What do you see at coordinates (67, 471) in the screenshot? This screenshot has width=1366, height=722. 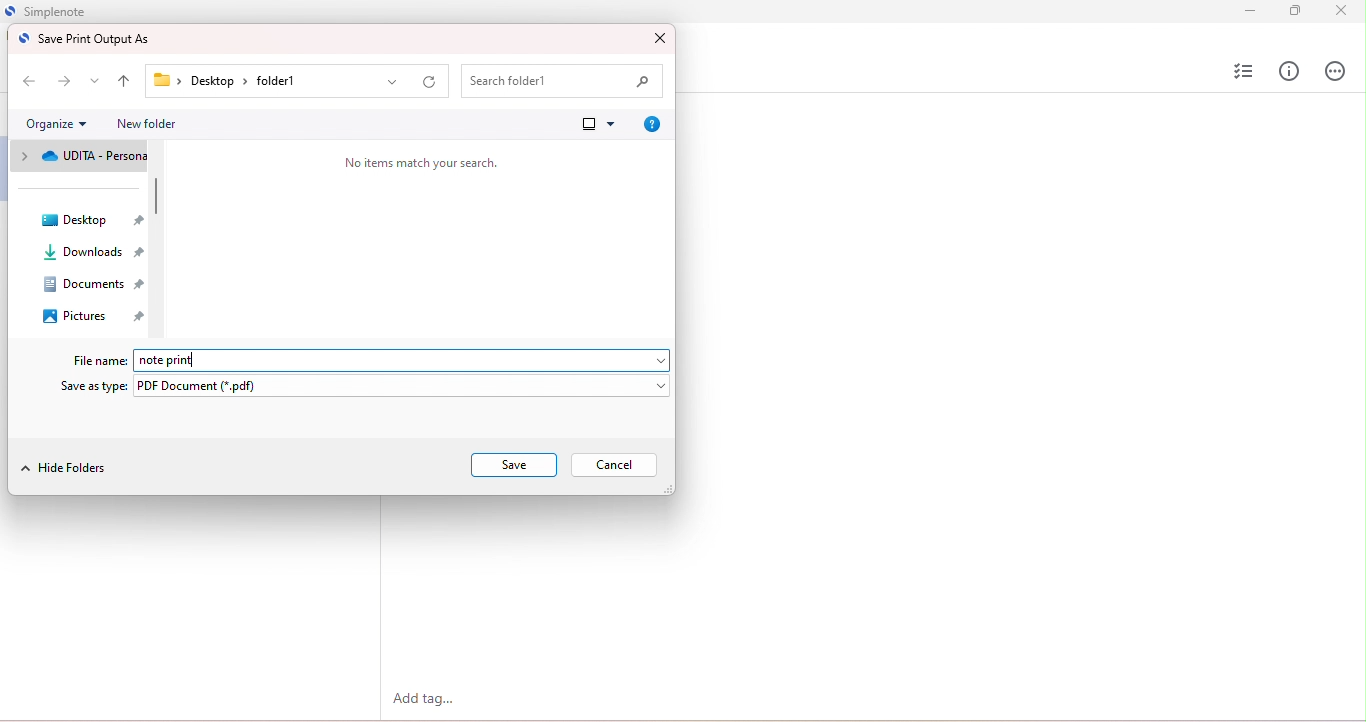 I see `hide folders` at bounding box center [67, 471].